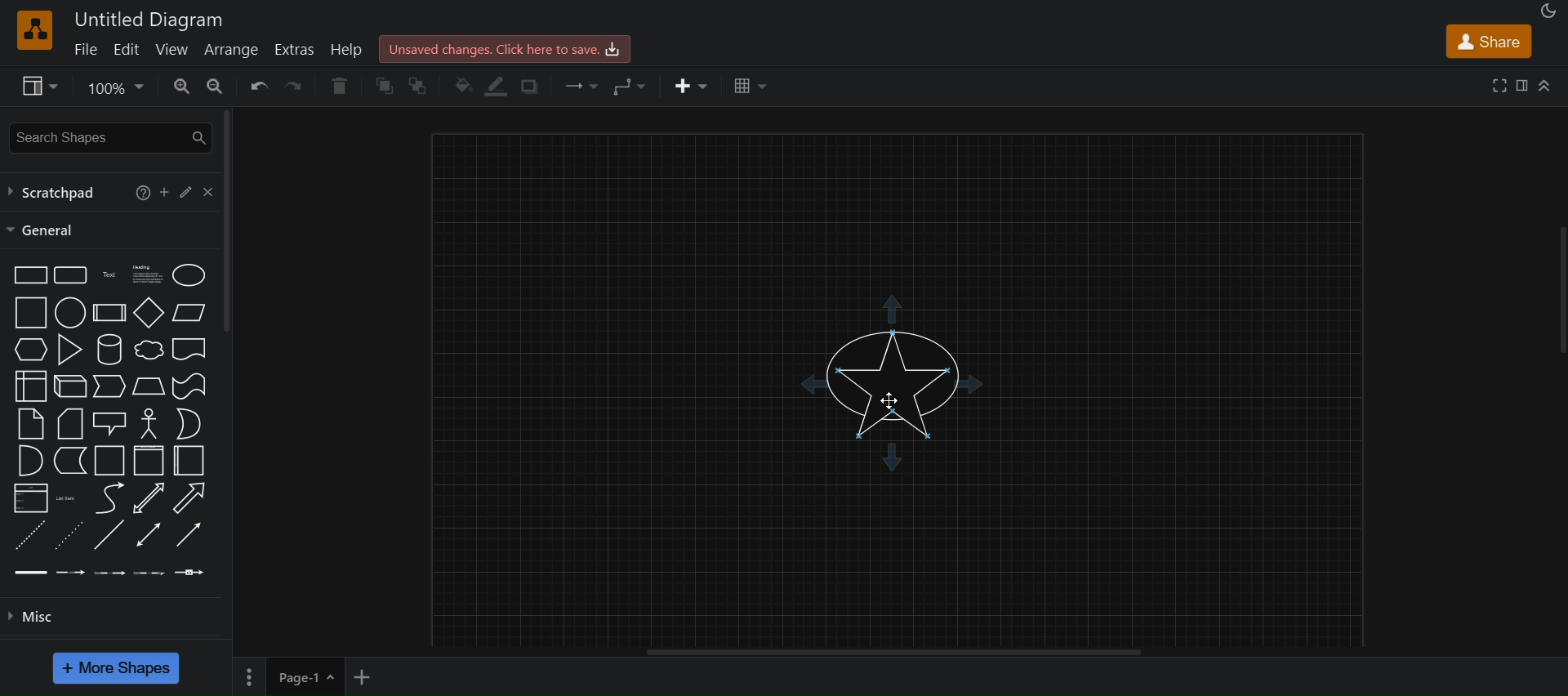 Image resolution: width=1568 pixels, height=696 pixels. I want to click on line color, so click(493, 86).